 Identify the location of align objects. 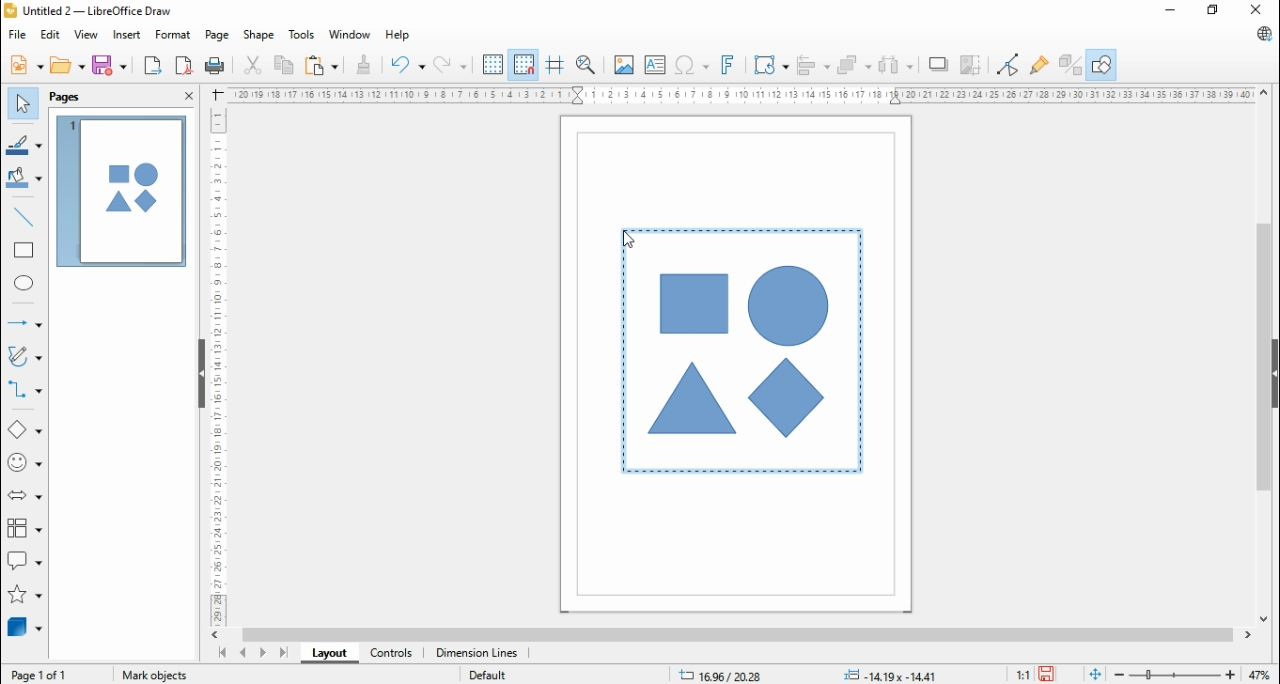
(811, 64).